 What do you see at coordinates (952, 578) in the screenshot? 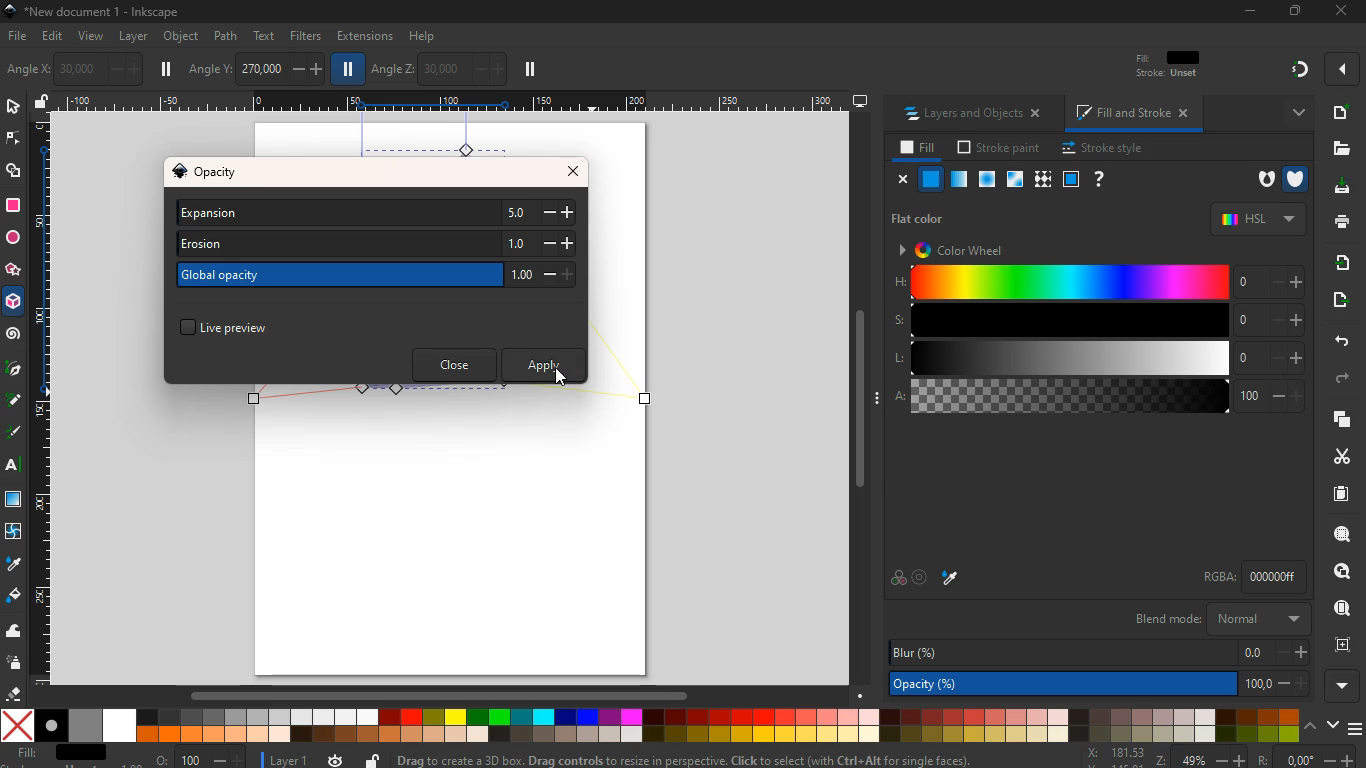
I see `drop` at bounding box center [952, 578].